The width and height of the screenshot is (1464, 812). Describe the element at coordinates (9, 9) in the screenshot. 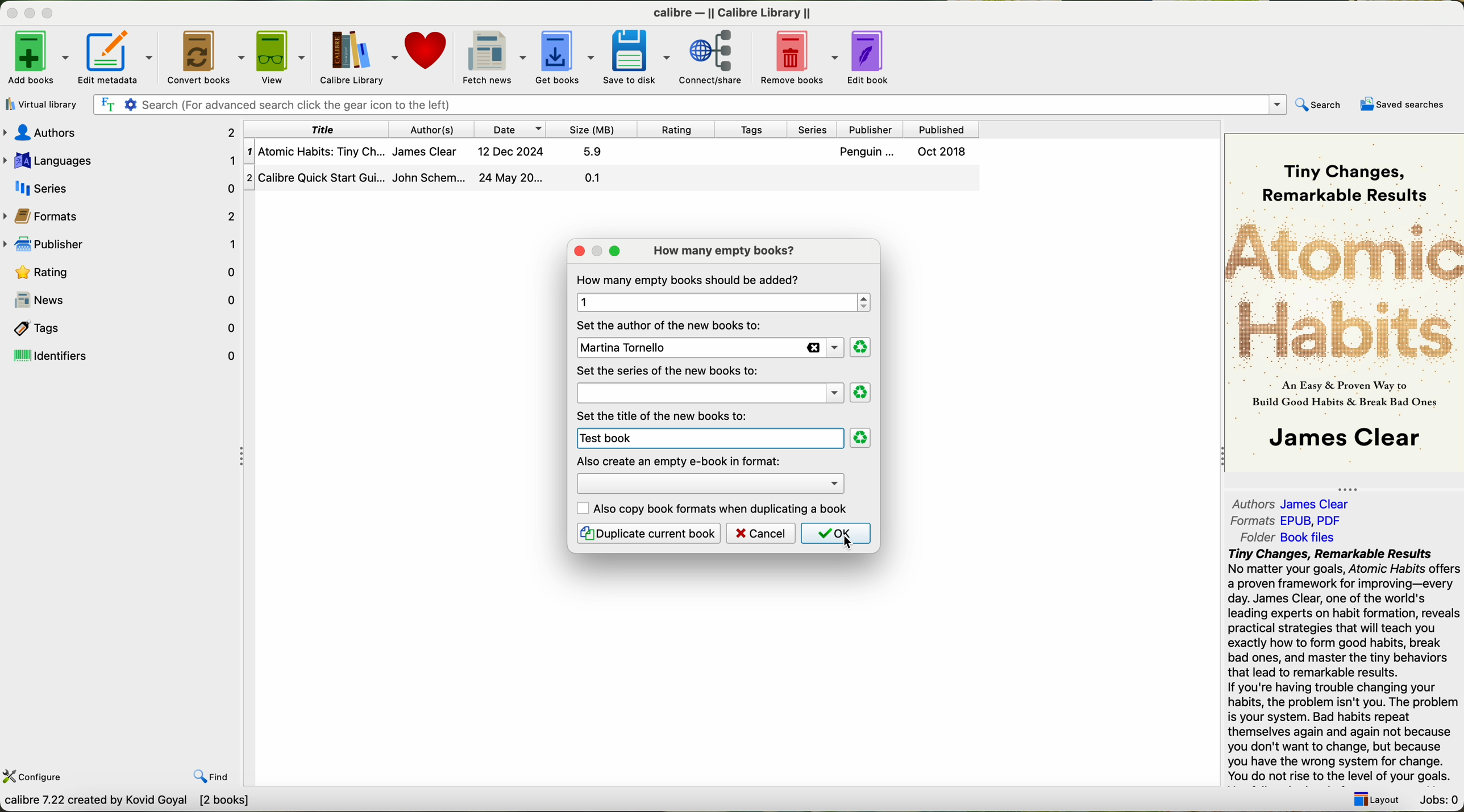

I see `close program` at that location.